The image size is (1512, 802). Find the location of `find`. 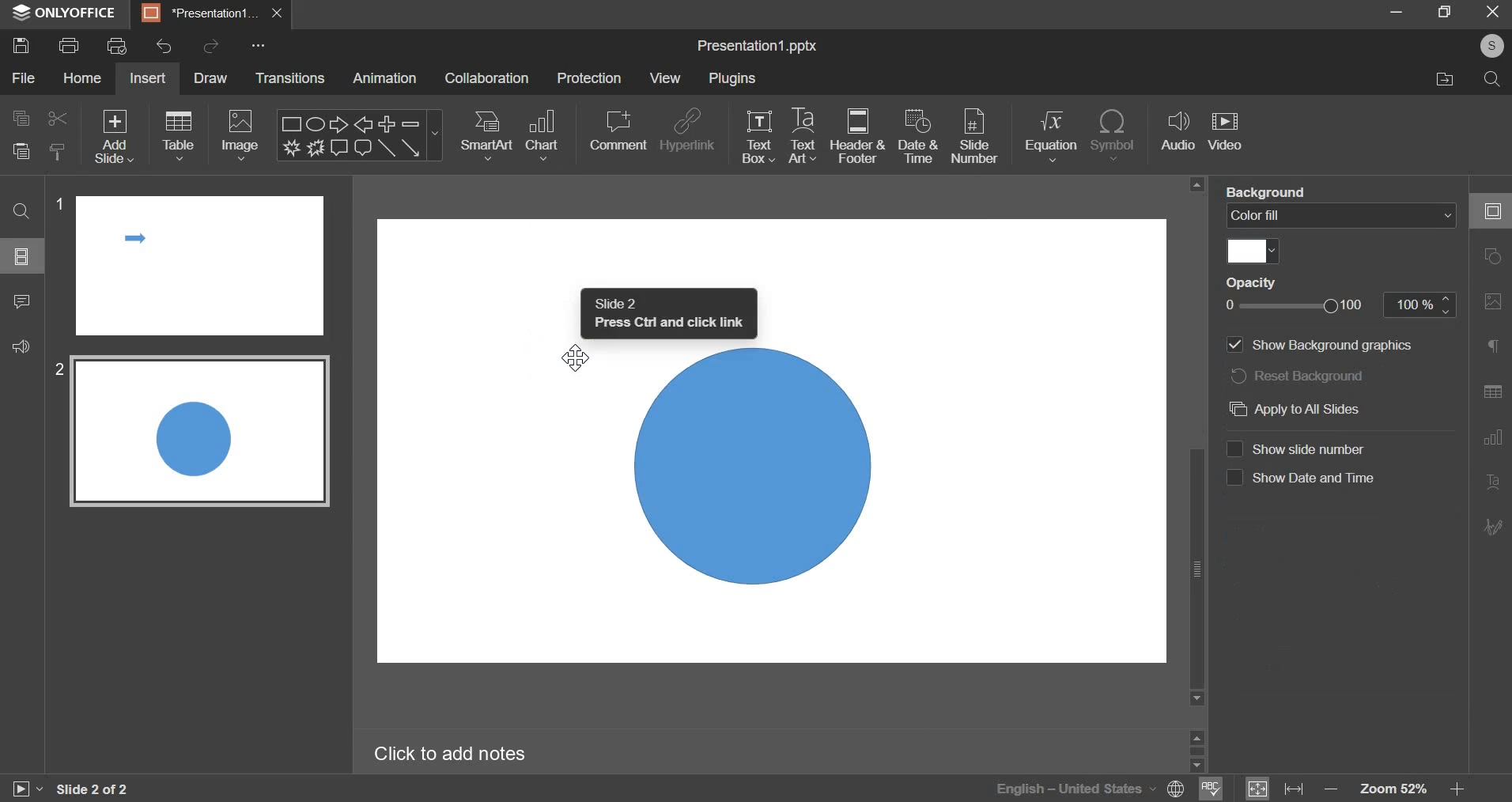

find is located at coordinates (20, 210).